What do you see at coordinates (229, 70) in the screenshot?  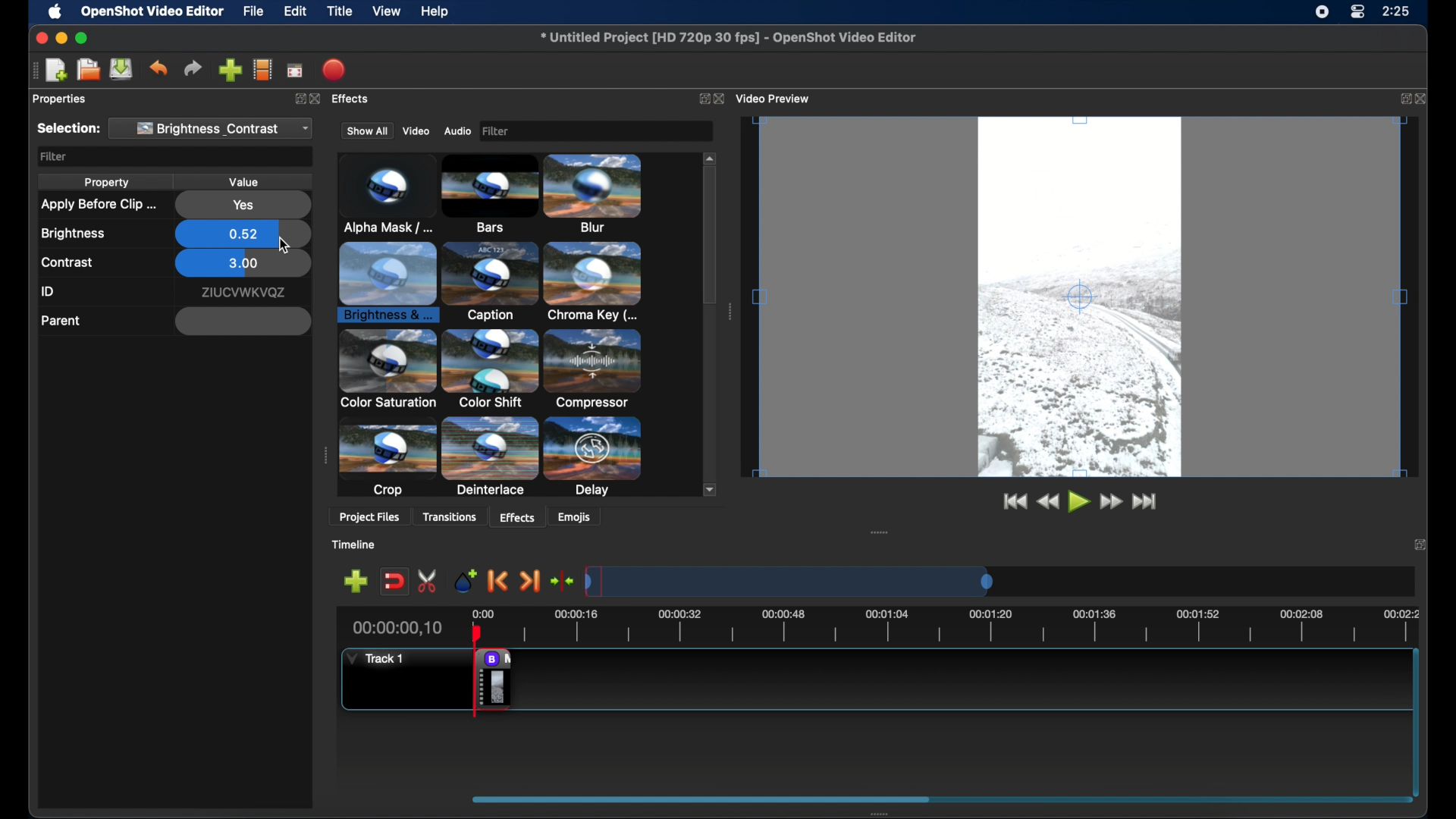 I see `import files` at bounding box center [229, 70].